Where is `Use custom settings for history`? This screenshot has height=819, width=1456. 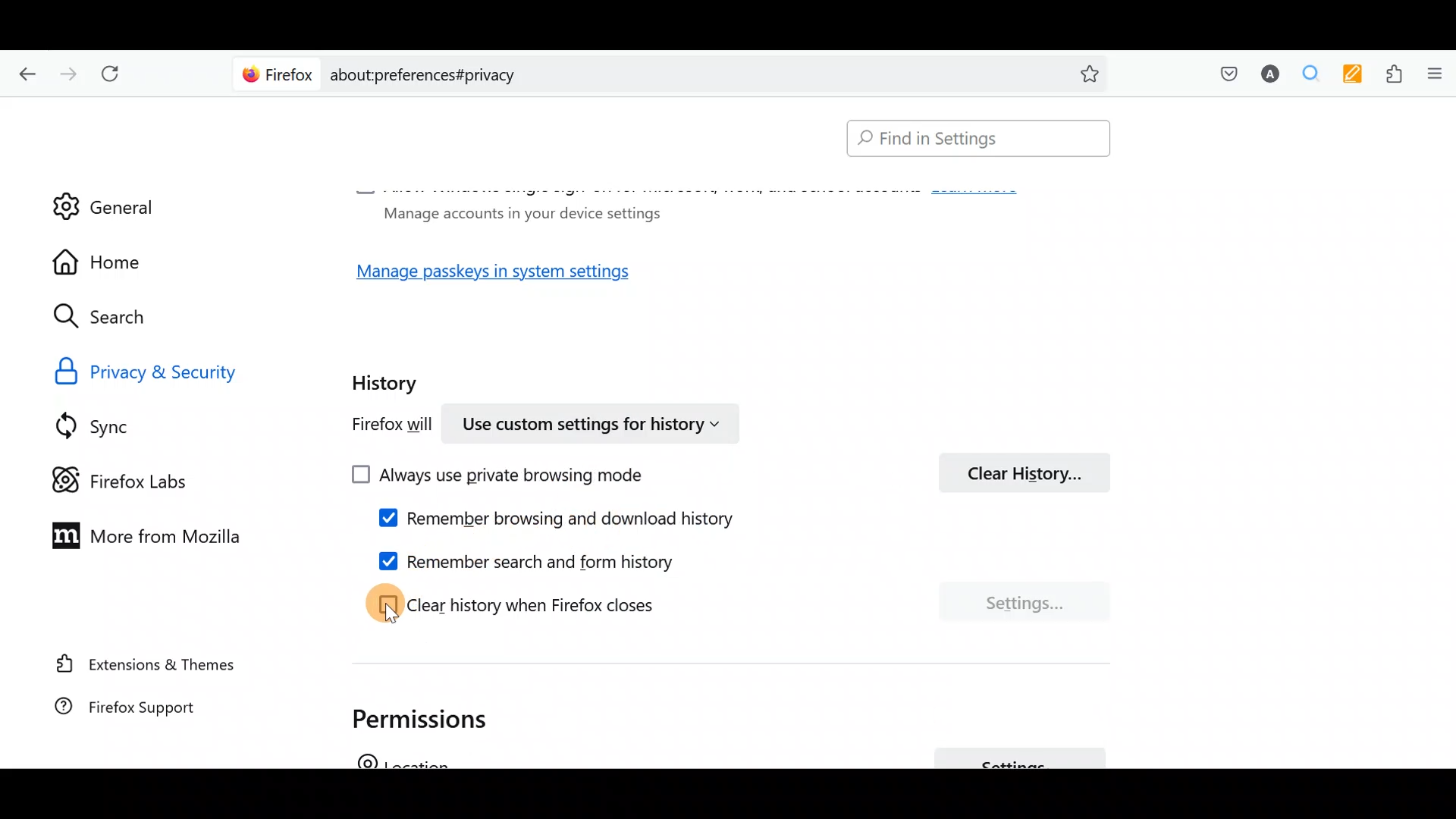 Use custom settings for history is located at coordinates (595, 422).